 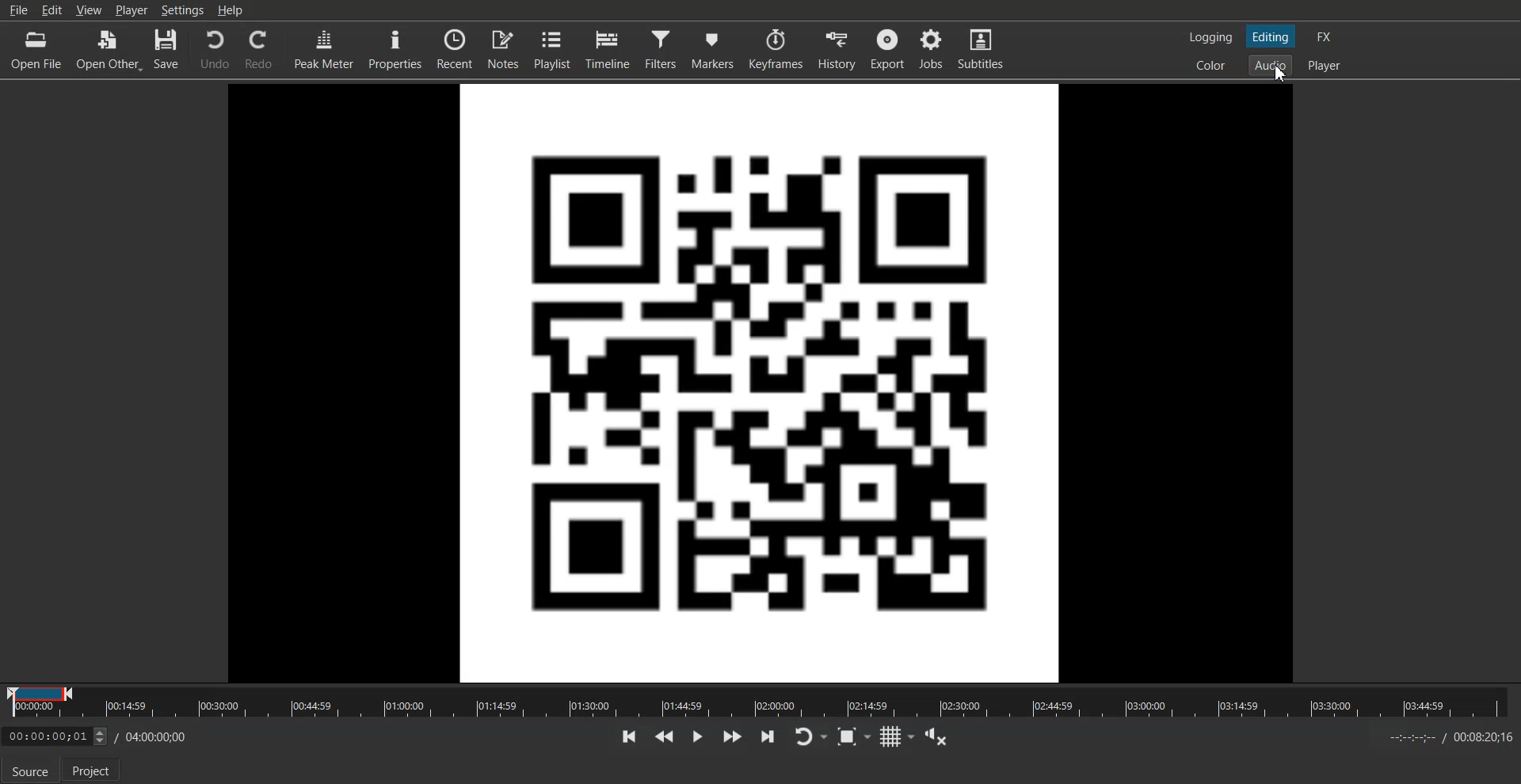 I want to click on Redo, so click(x=261, y=49).